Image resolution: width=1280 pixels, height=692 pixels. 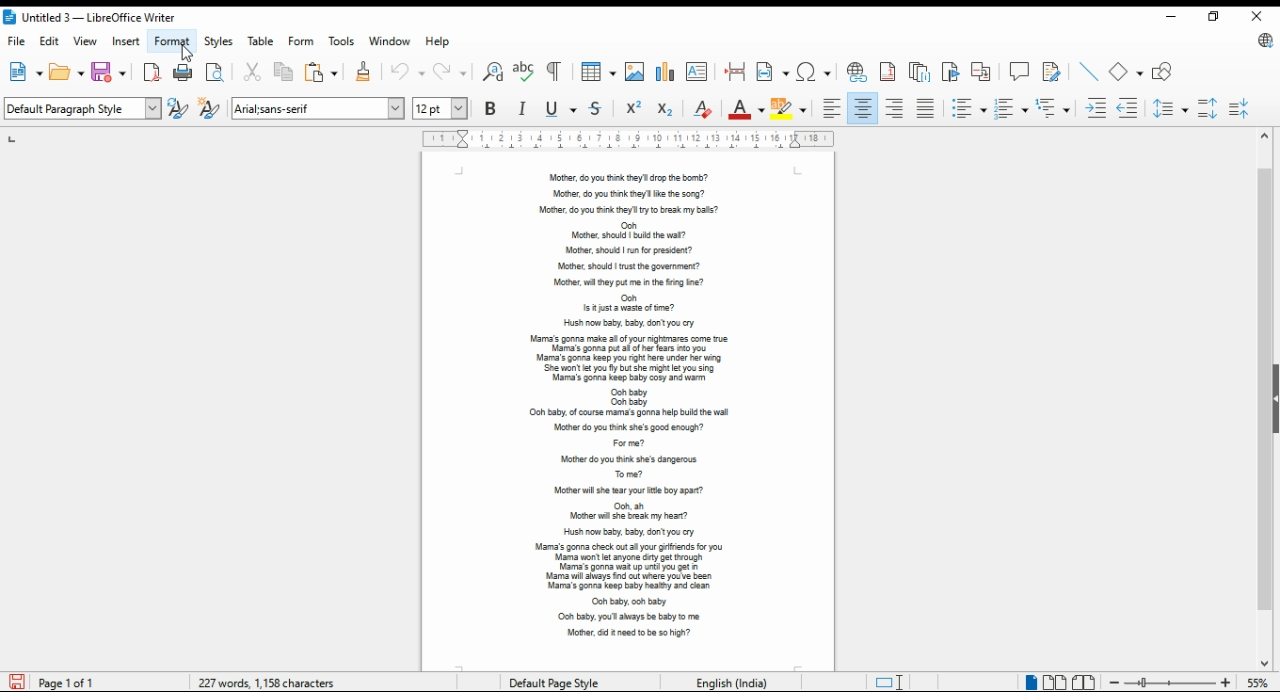 What do you see at coordinates (862, 108) in the screenshot?
I see `align center` at bounding box center [862, 108].